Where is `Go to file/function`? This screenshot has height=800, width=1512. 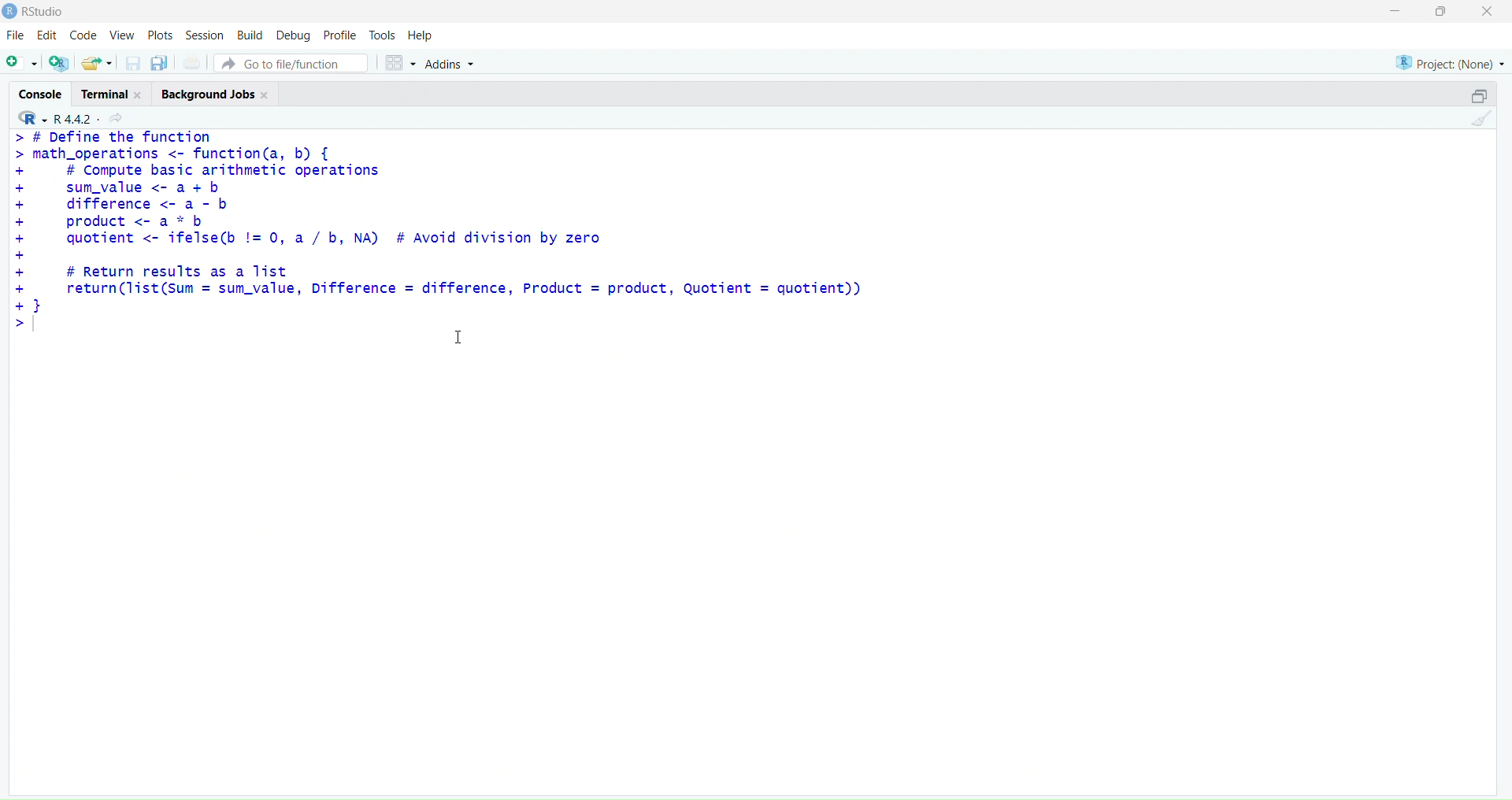
Go to file/function is located at coordinates (292, 62).